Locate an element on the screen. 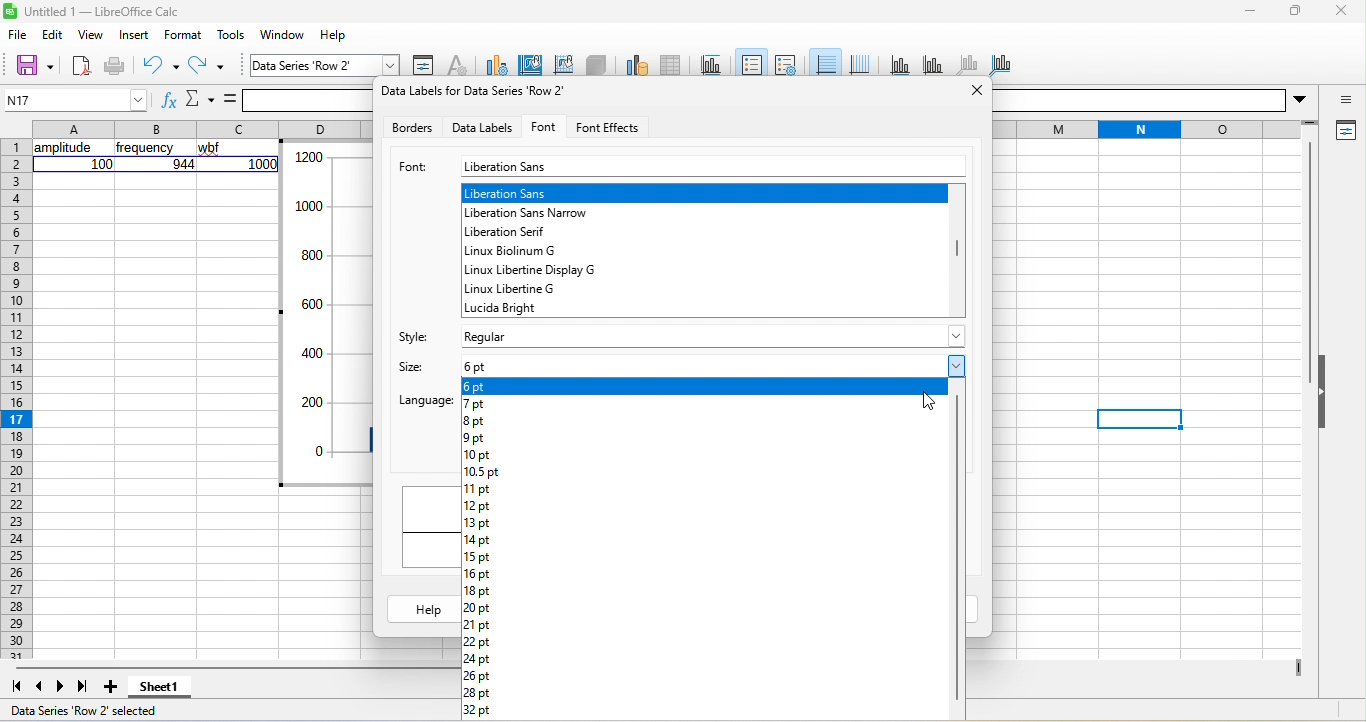 This screenshot has height=722, width=1366. 26 pt is located at coordinates (478, 677).